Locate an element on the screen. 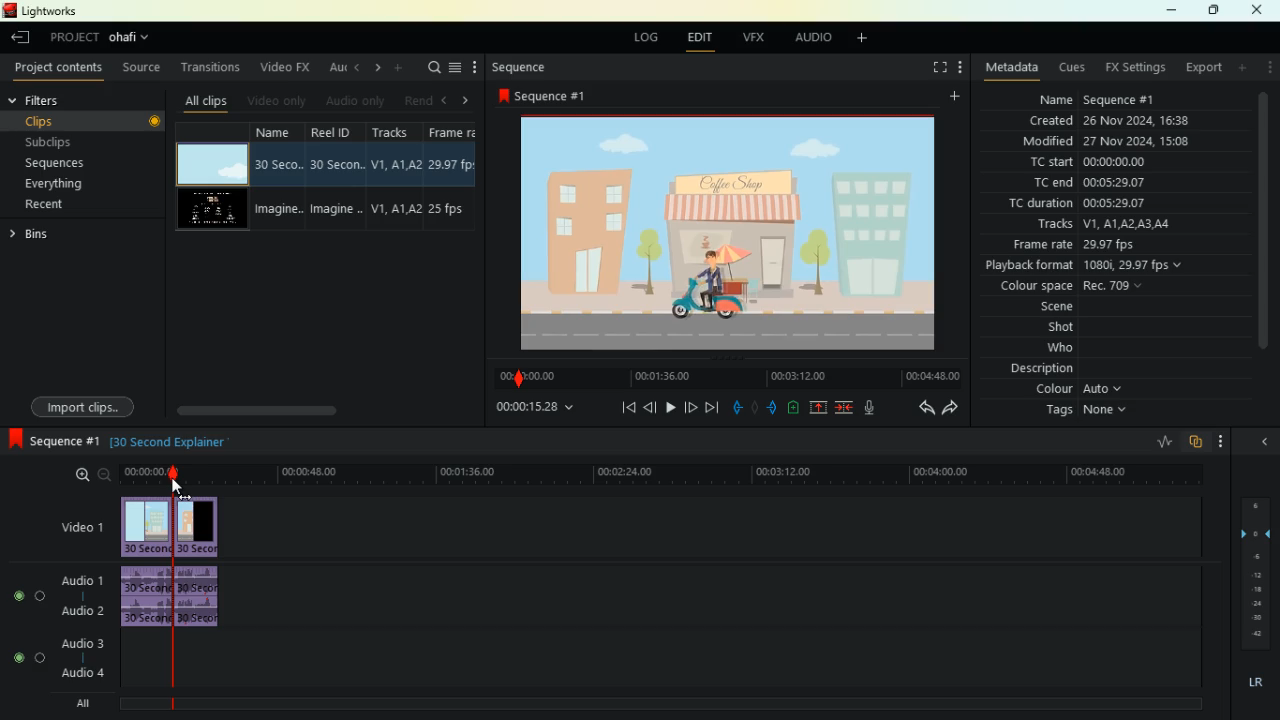 This screenshot has width=1280, height=720. add is located at coordinates (952, 98).